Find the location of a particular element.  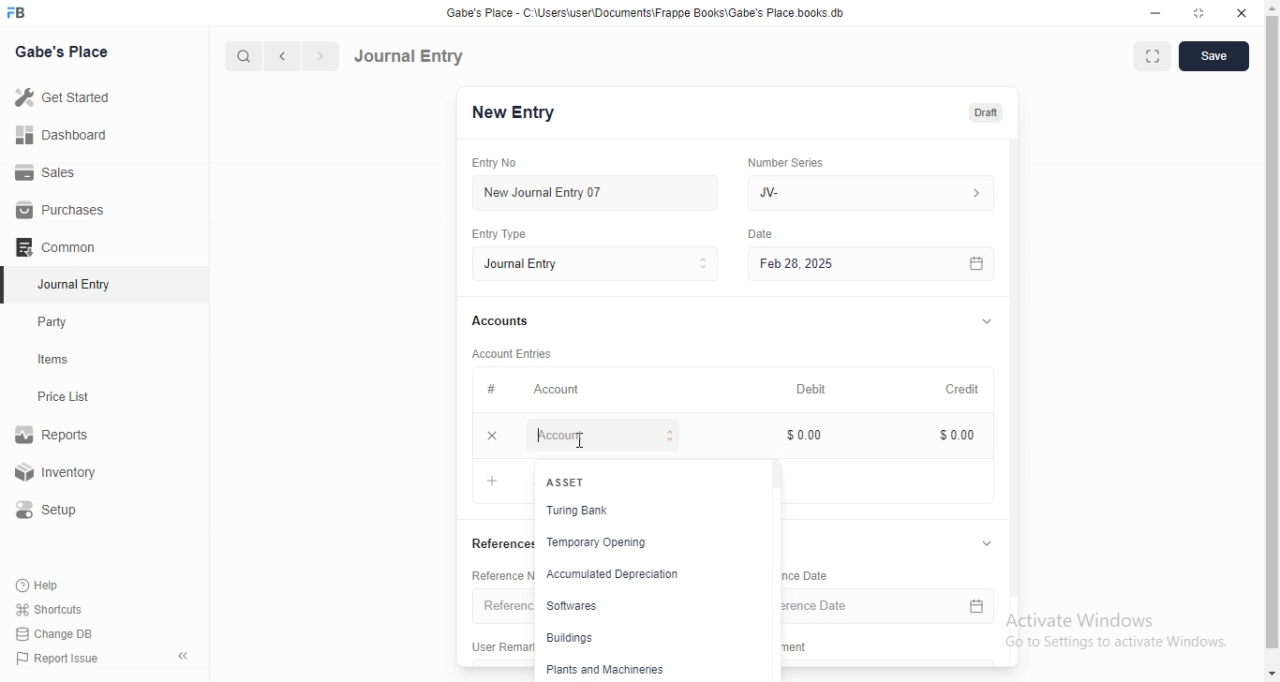

Reference Number is located at coordinates (505, 576).